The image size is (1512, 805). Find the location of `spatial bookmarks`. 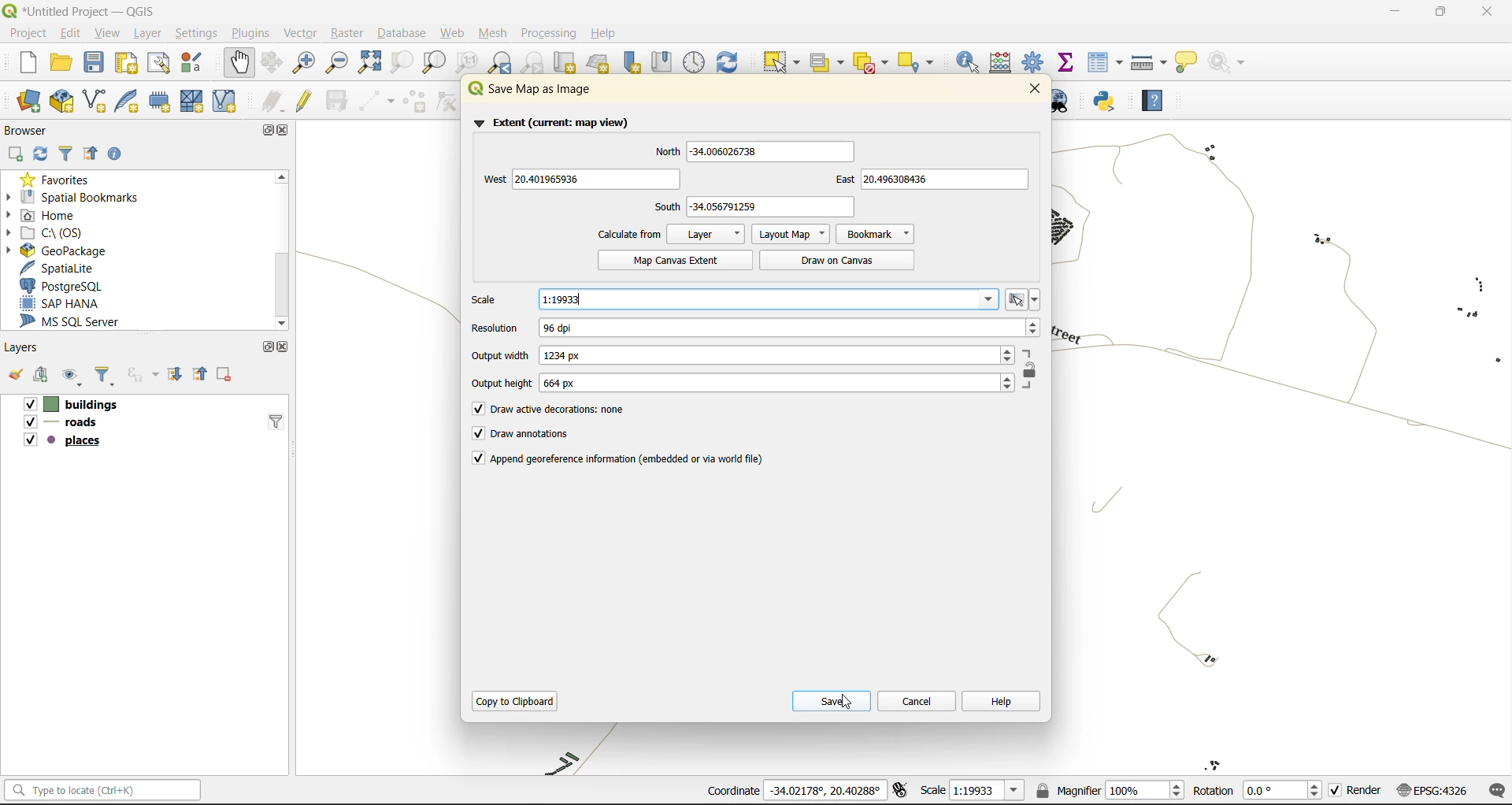

spatial bookmarks is located at coordinates (72, 197).